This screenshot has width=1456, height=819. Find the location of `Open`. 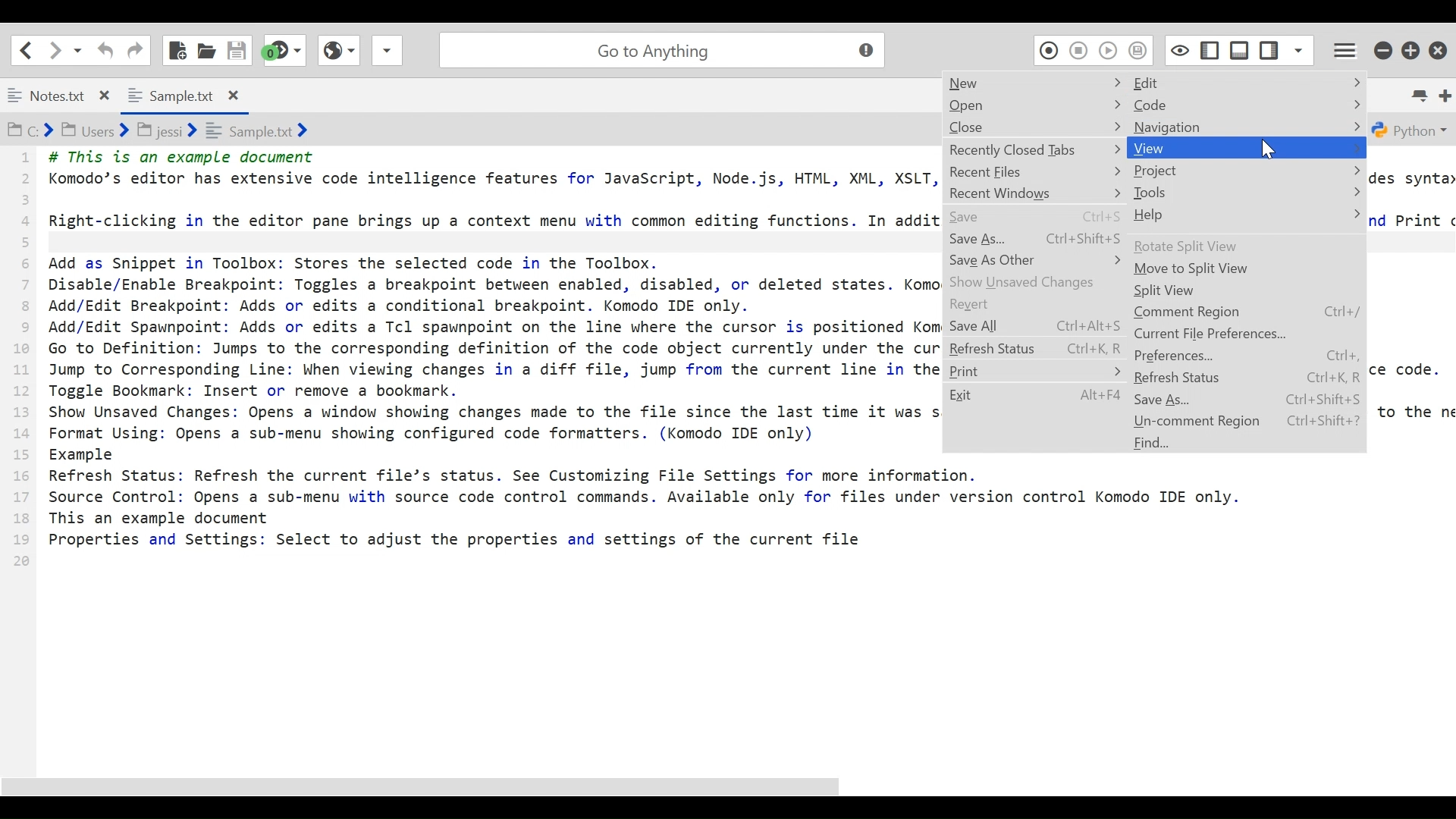

Open is located at coordinates (1036, 106).